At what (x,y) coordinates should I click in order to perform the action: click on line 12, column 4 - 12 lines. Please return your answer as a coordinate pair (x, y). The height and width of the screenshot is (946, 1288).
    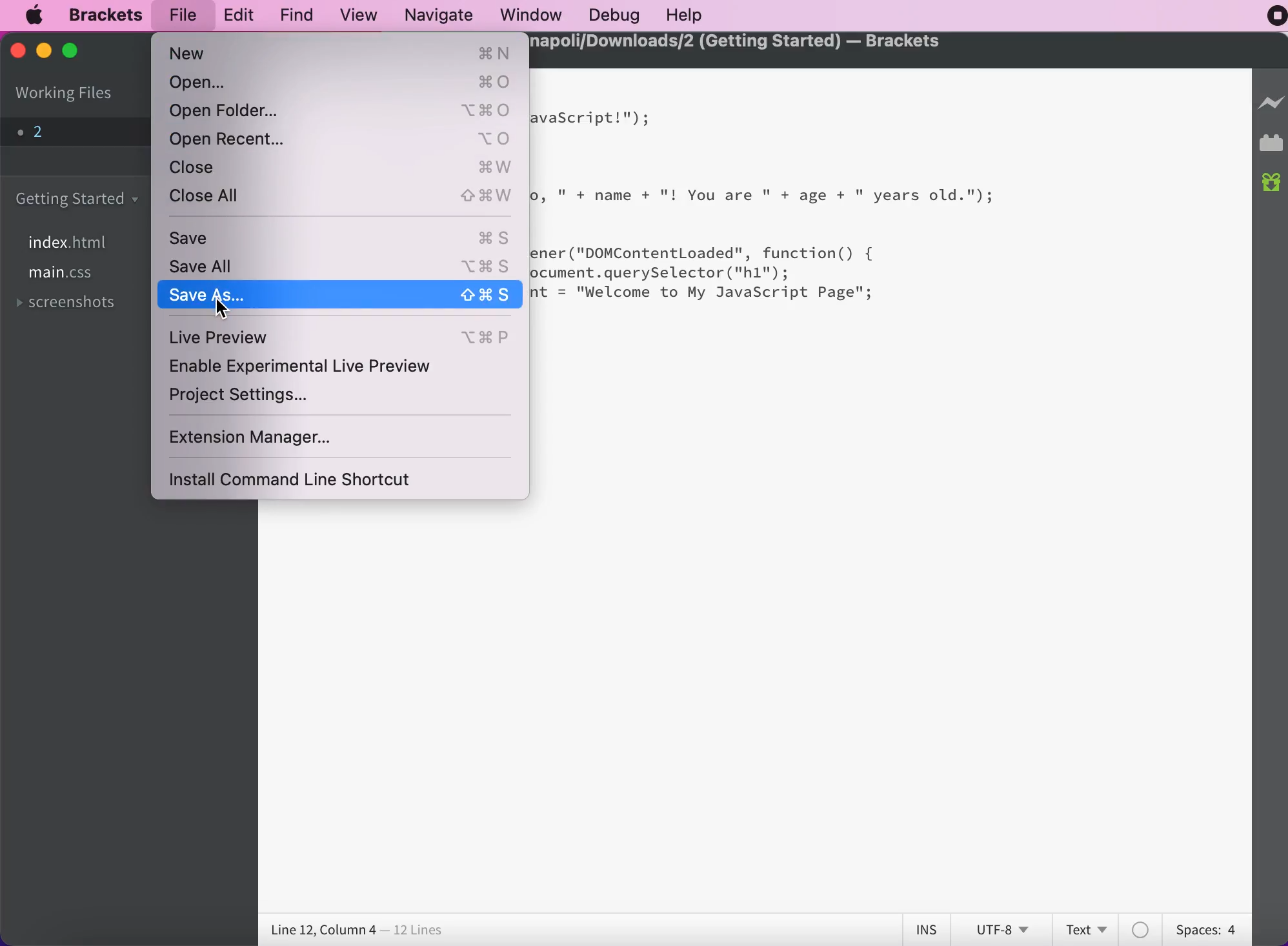
    Looking at the image, I should click on (358, 931).